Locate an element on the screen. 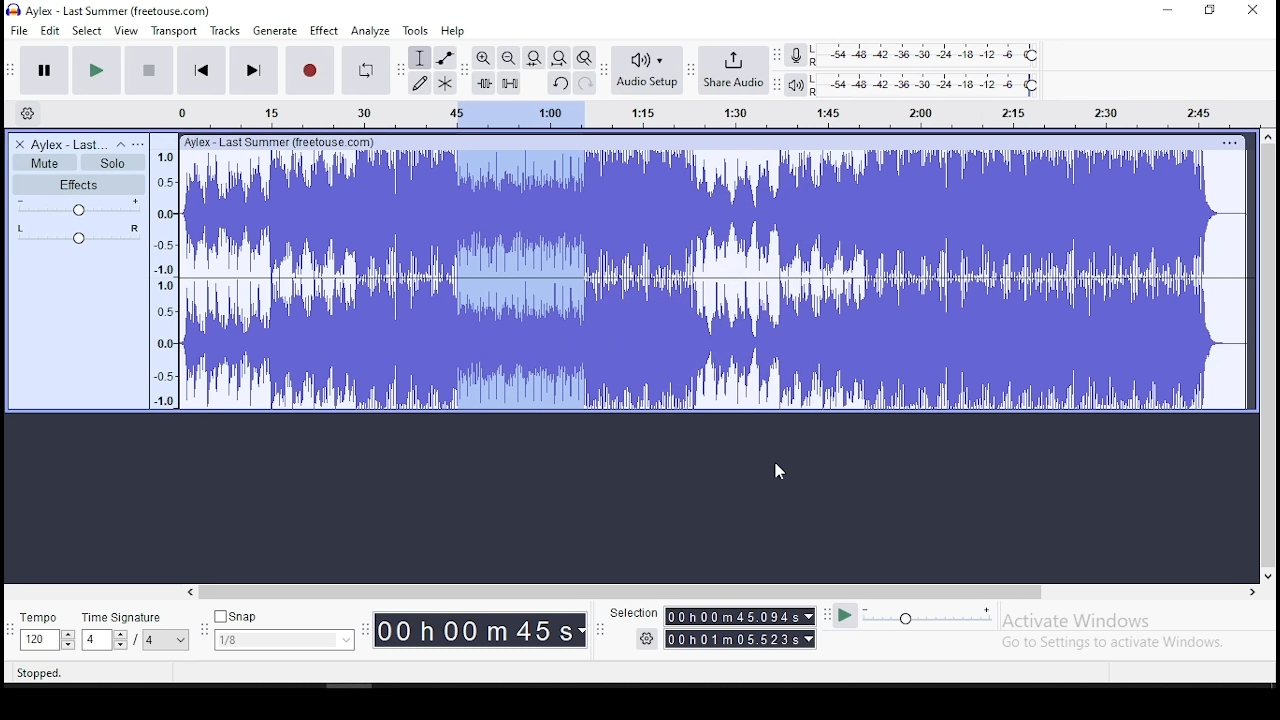  undo is located at coordinates (558, 83).